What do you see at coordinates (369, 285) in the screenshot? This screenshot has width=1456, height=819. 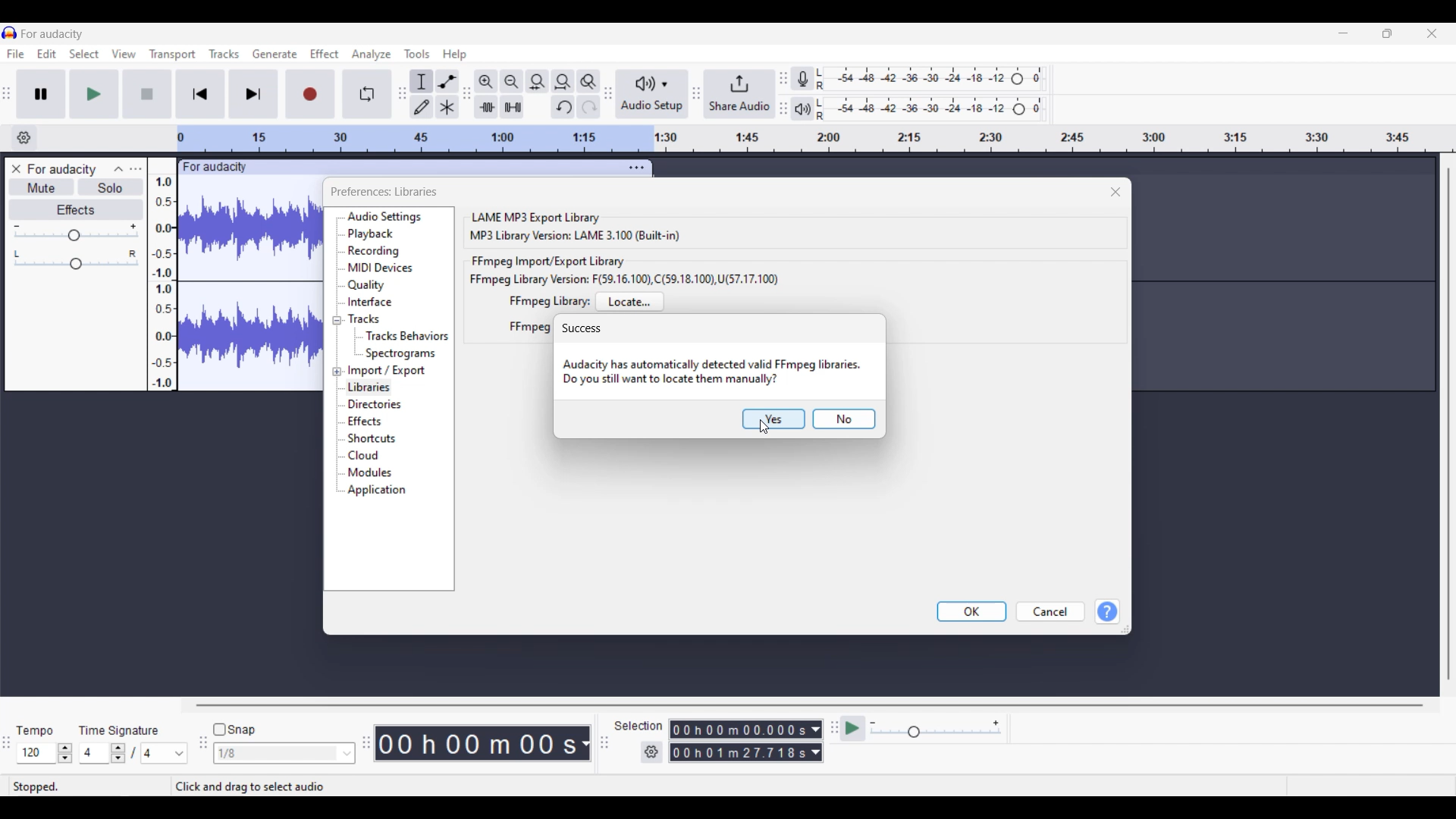 I see `Quality` at bounding box center [369, 285].